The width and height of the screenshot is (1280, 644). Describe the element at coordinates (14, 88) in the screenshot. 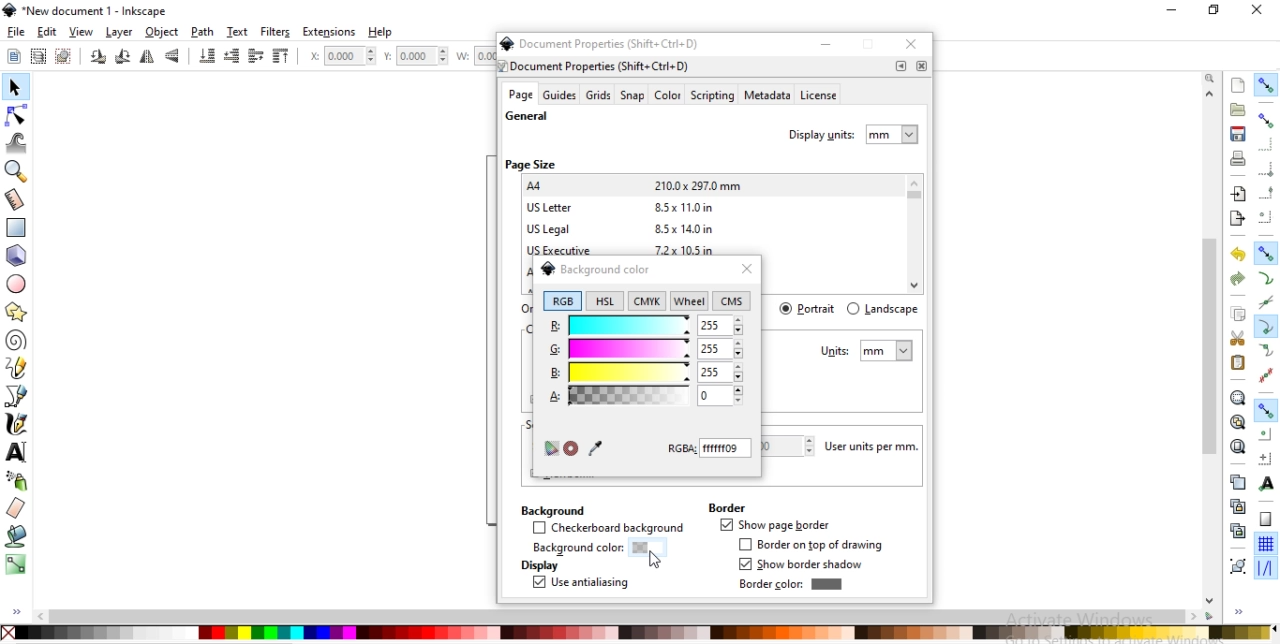

I see `select and transform objects` at that location.